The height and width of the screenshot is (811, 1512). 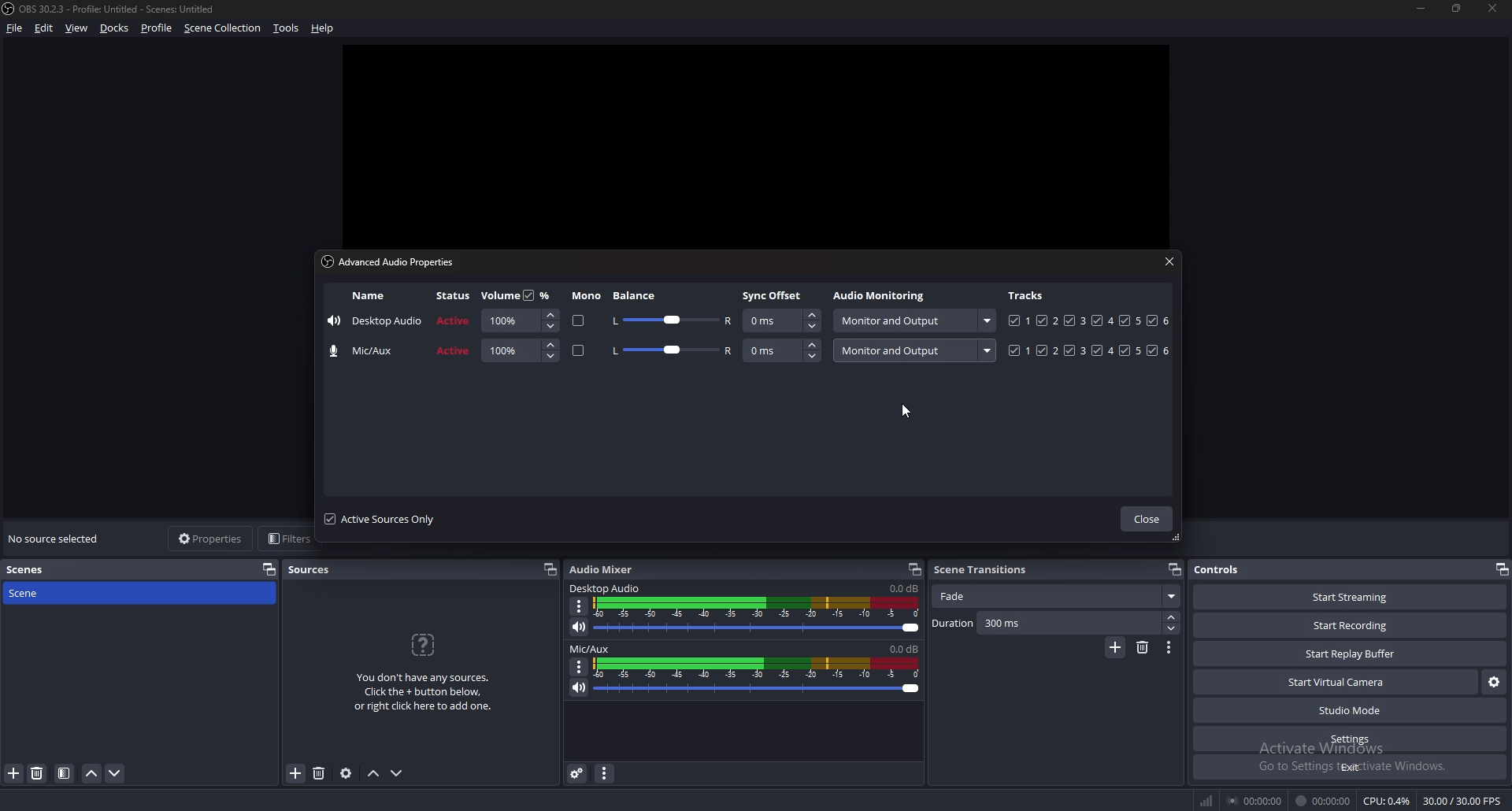 I want to click on sync offset adjust, so click(x=782, y=350).